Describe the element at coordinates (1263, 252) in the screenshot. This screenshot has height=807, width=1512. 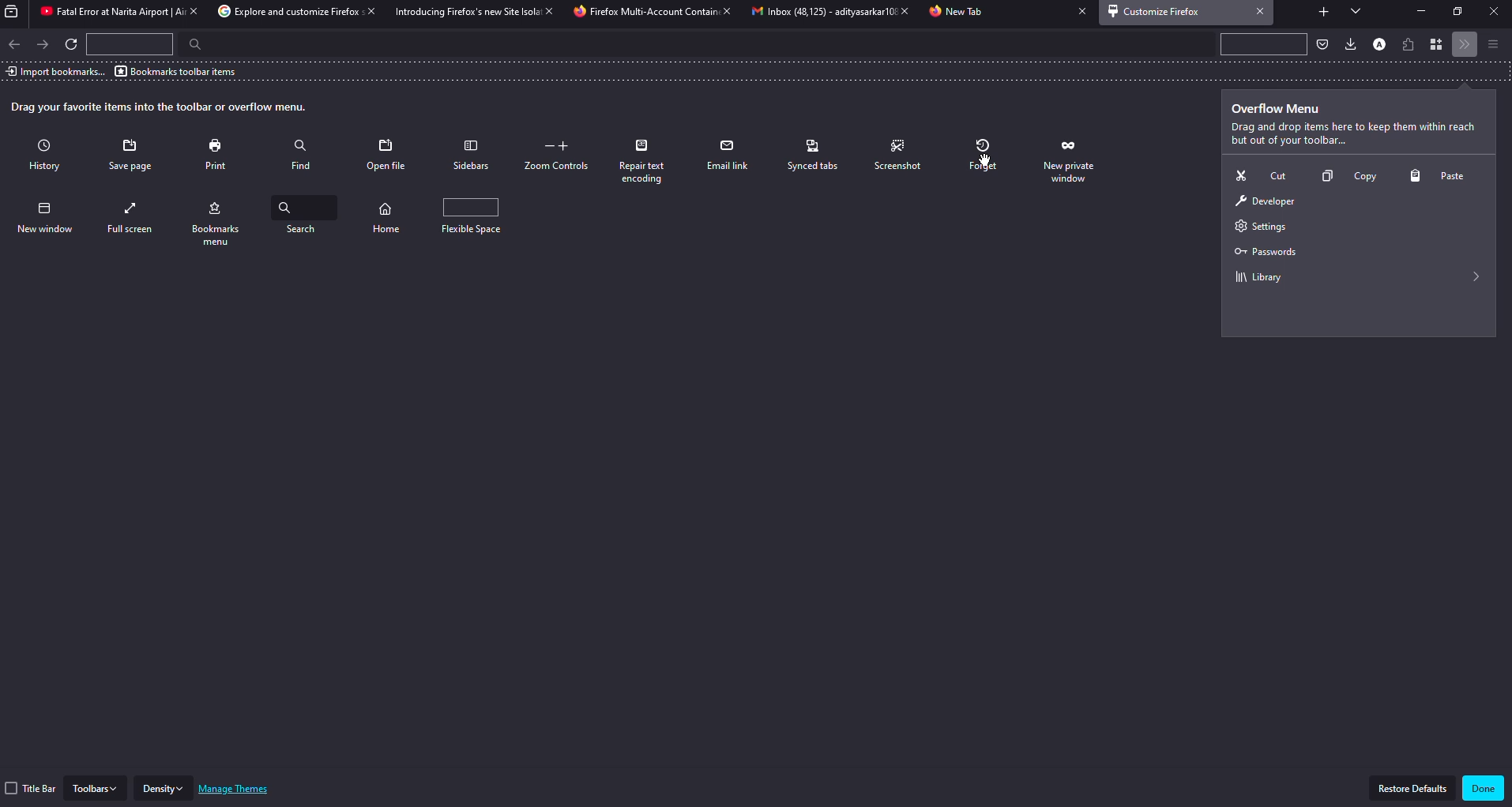
I see `passwords` at that location.